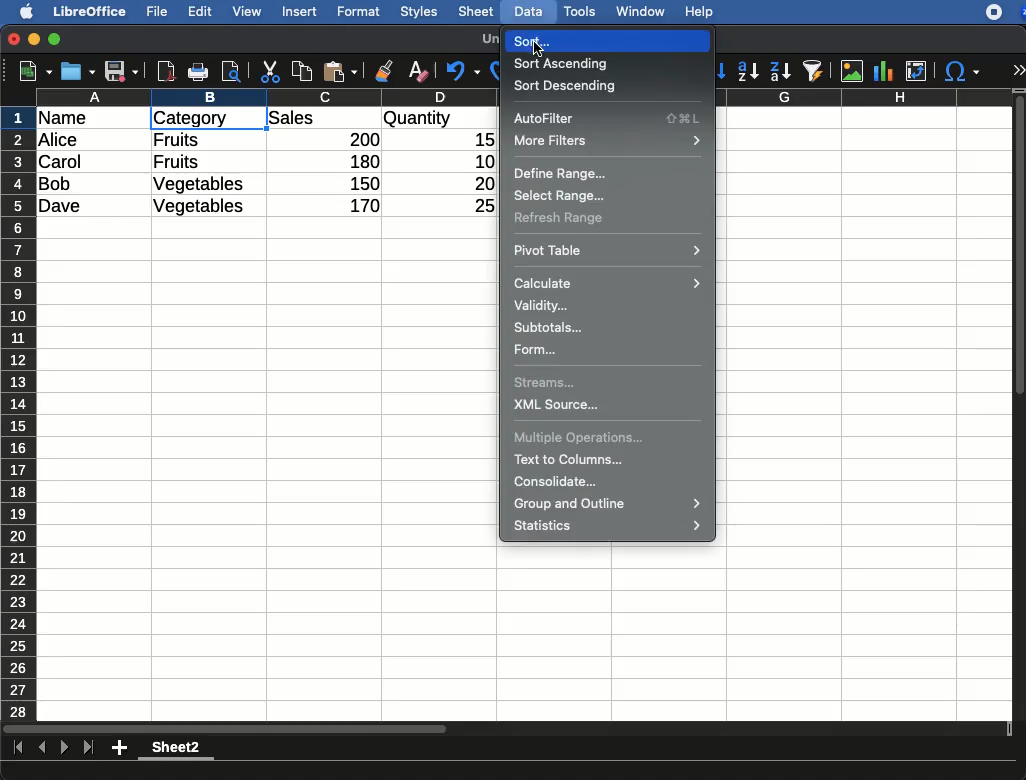 This screenshot has height=780, width=1026. What do you see at coordinates (271, 71) in the screenshot?
I see `cut` at bounding box center [271, 71].